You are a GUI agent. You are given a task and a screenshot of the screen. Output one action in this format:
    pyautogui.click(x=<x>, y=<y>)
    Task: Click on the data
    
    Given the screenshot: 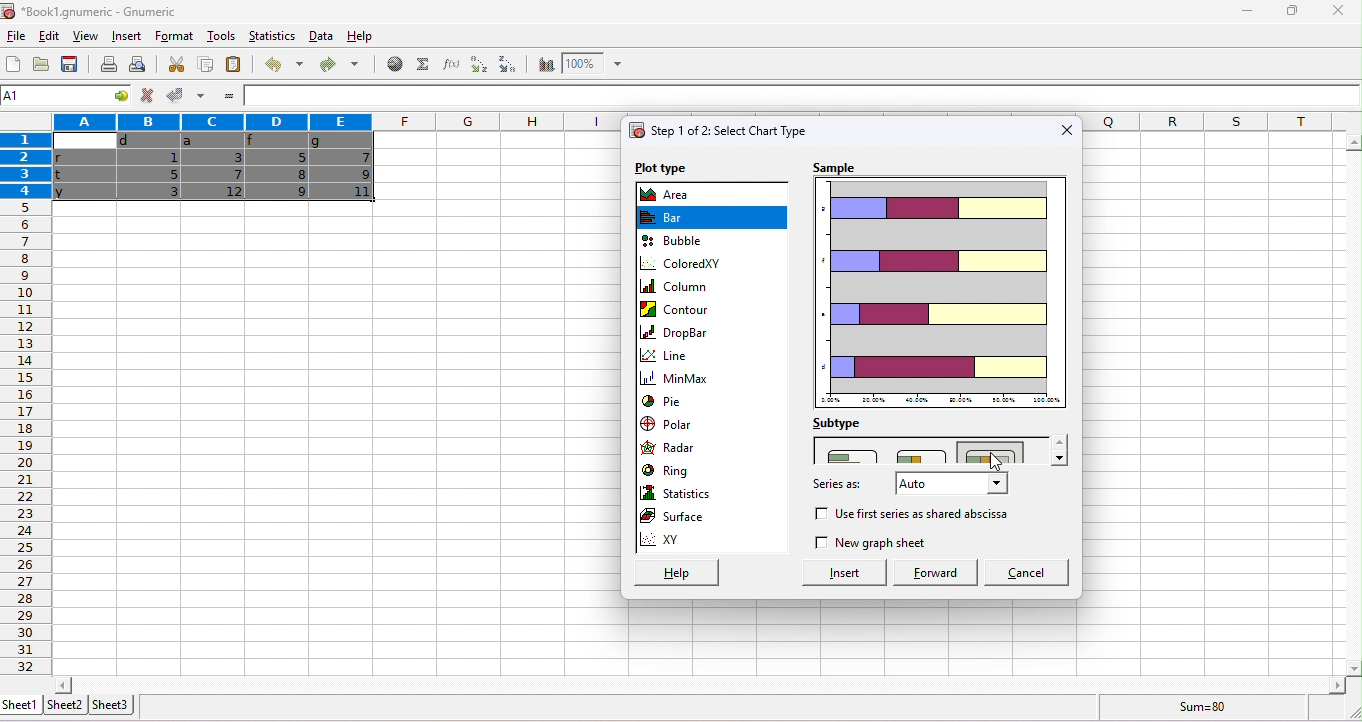 What is the action you would take?
    pyautogui.click(x=320, y=36)
    